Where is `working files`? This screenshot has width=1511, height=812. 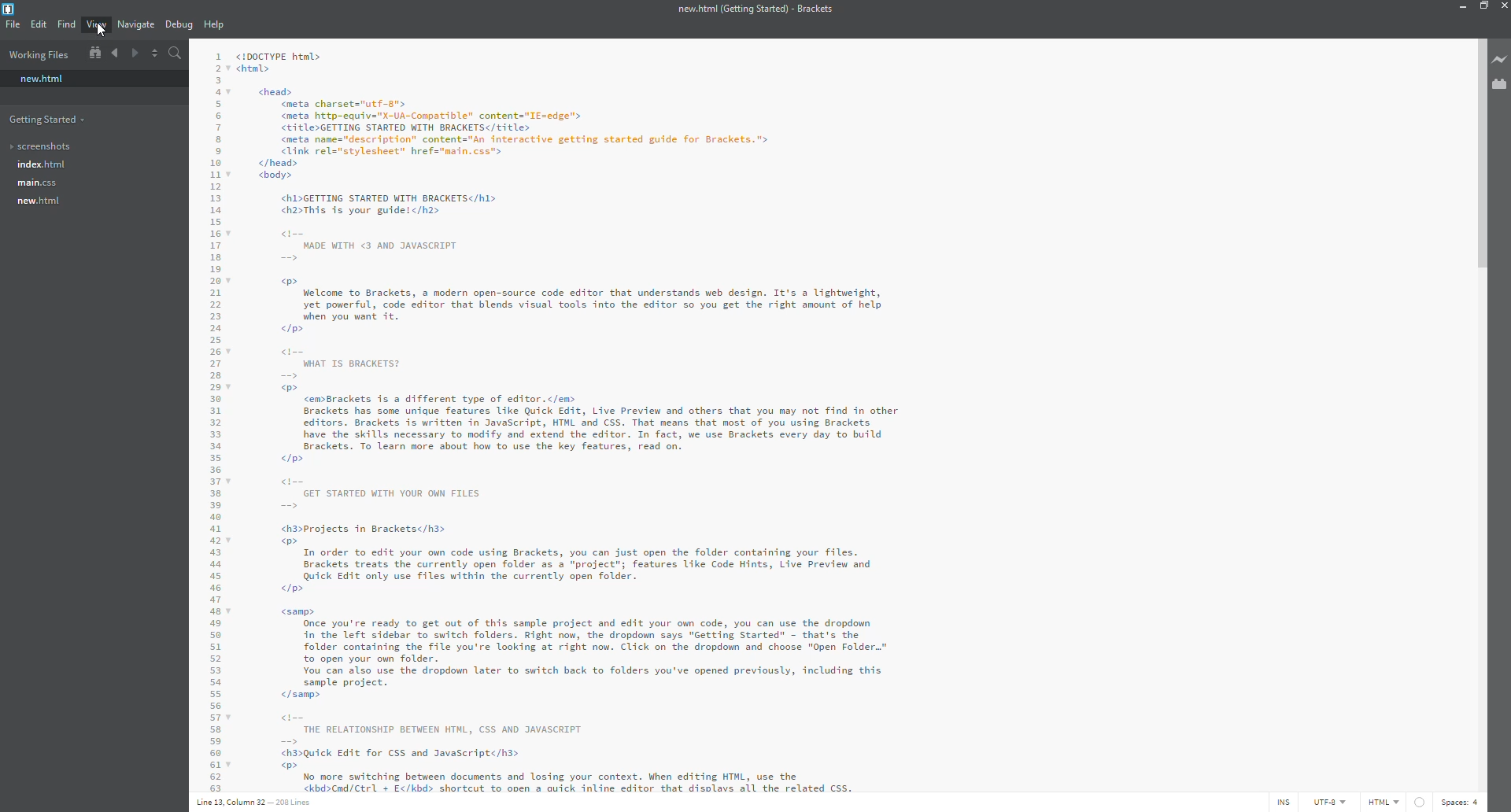
working files is located at coordinates (41, 54).